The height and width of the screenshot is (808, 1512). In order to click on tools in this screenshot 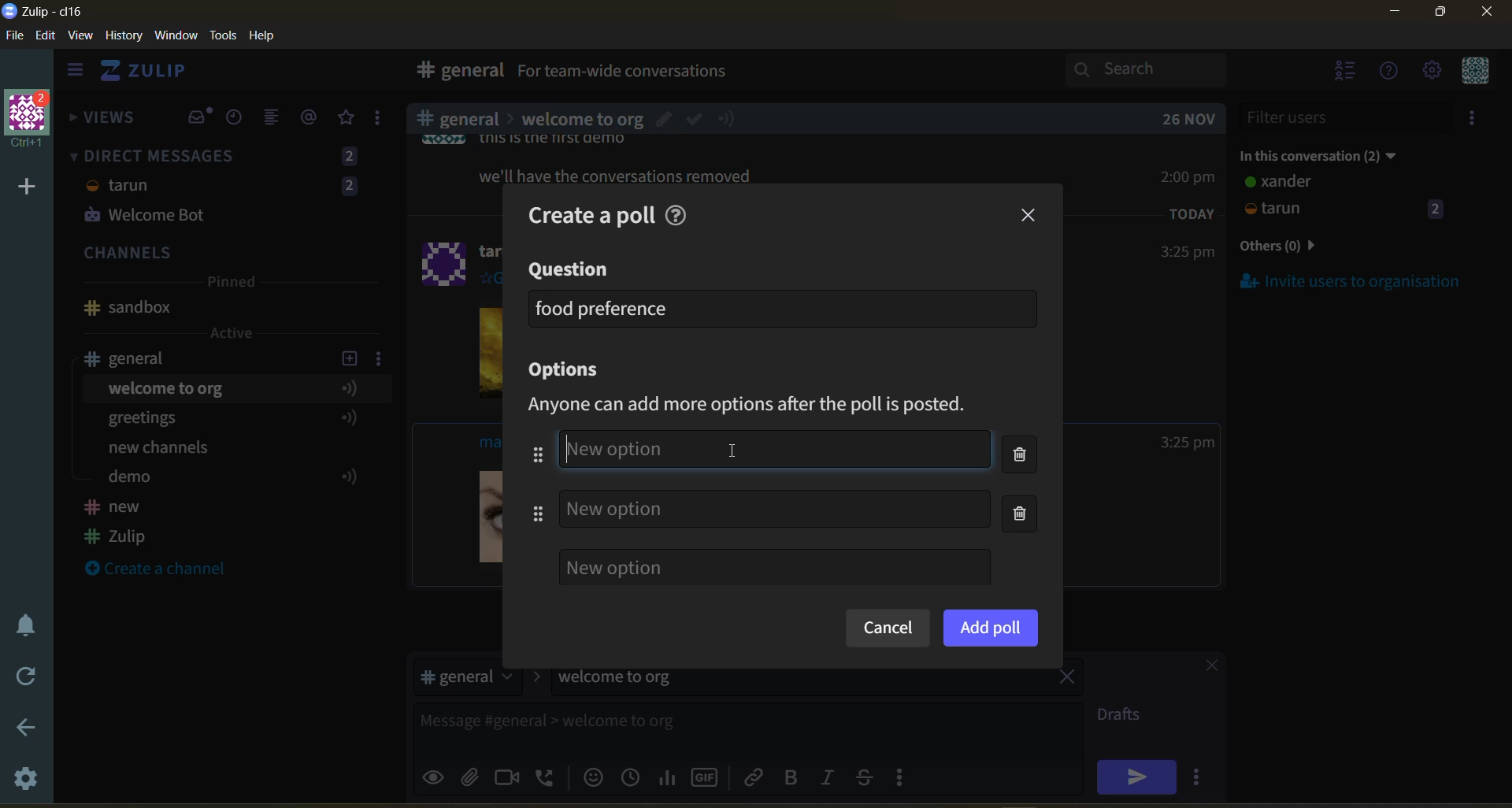, I will do `click(226, 34)`.